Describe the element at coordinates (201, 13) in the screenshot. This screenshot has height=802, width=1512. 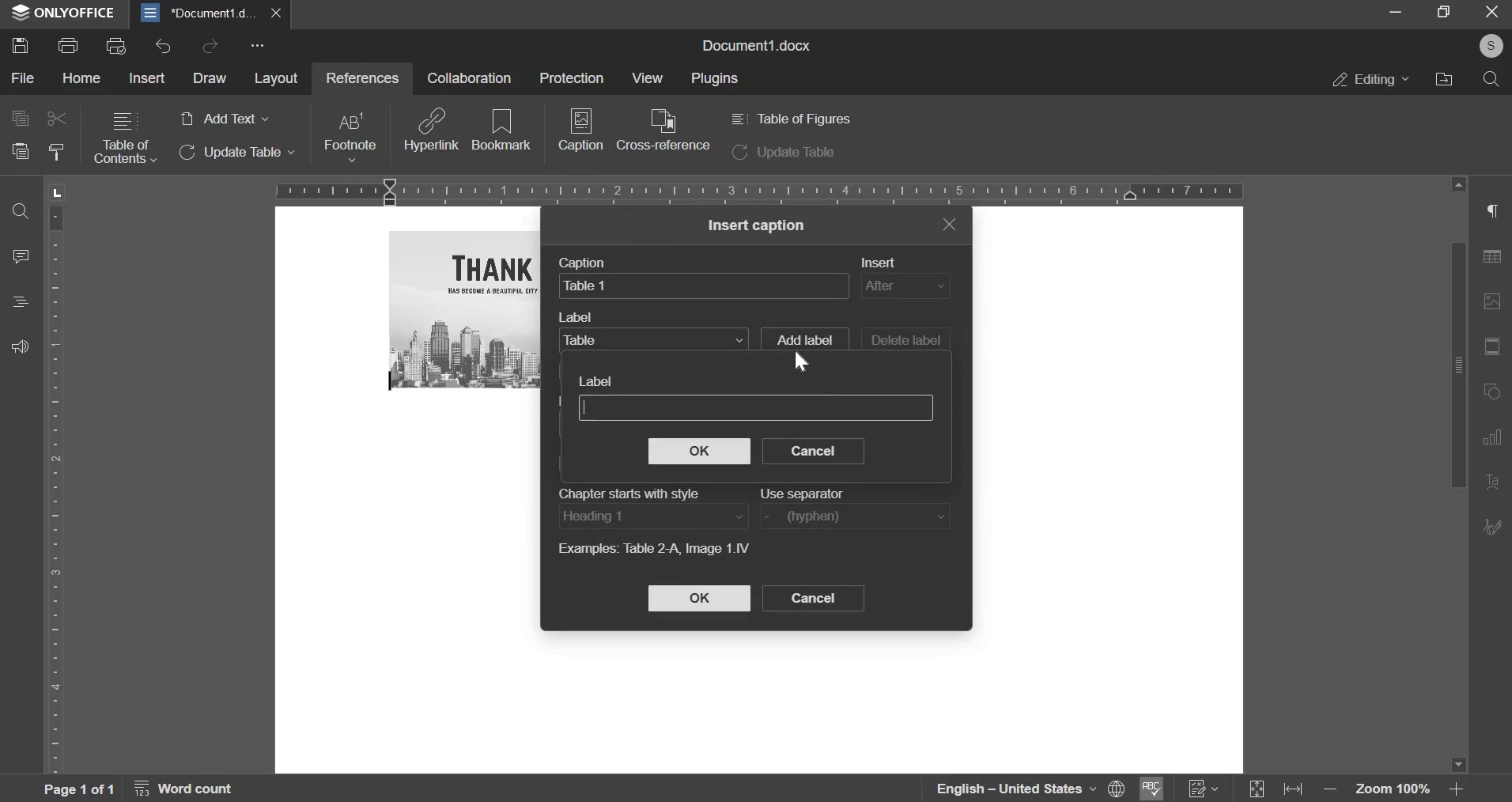
I see `document1.d` at that location.